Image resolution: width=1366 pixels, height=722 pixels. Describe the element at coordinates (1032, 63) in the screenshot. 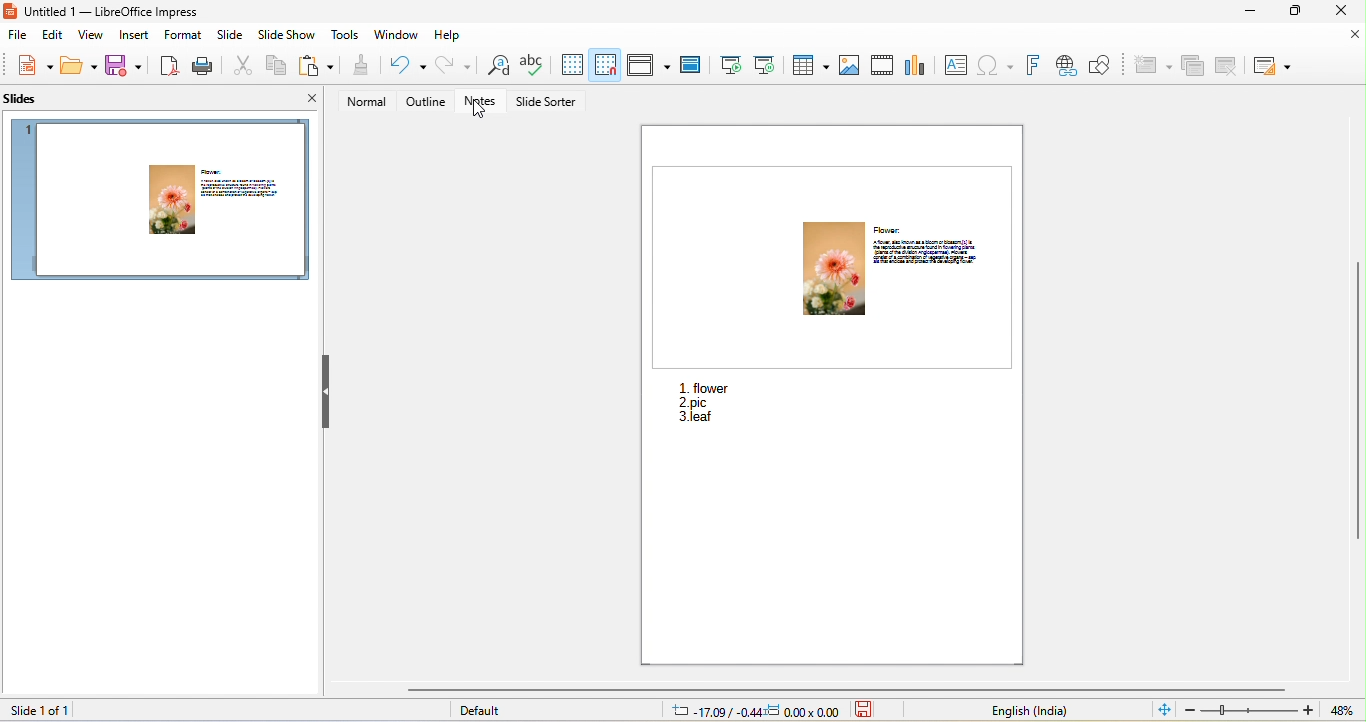

I see `font work text` at that location.